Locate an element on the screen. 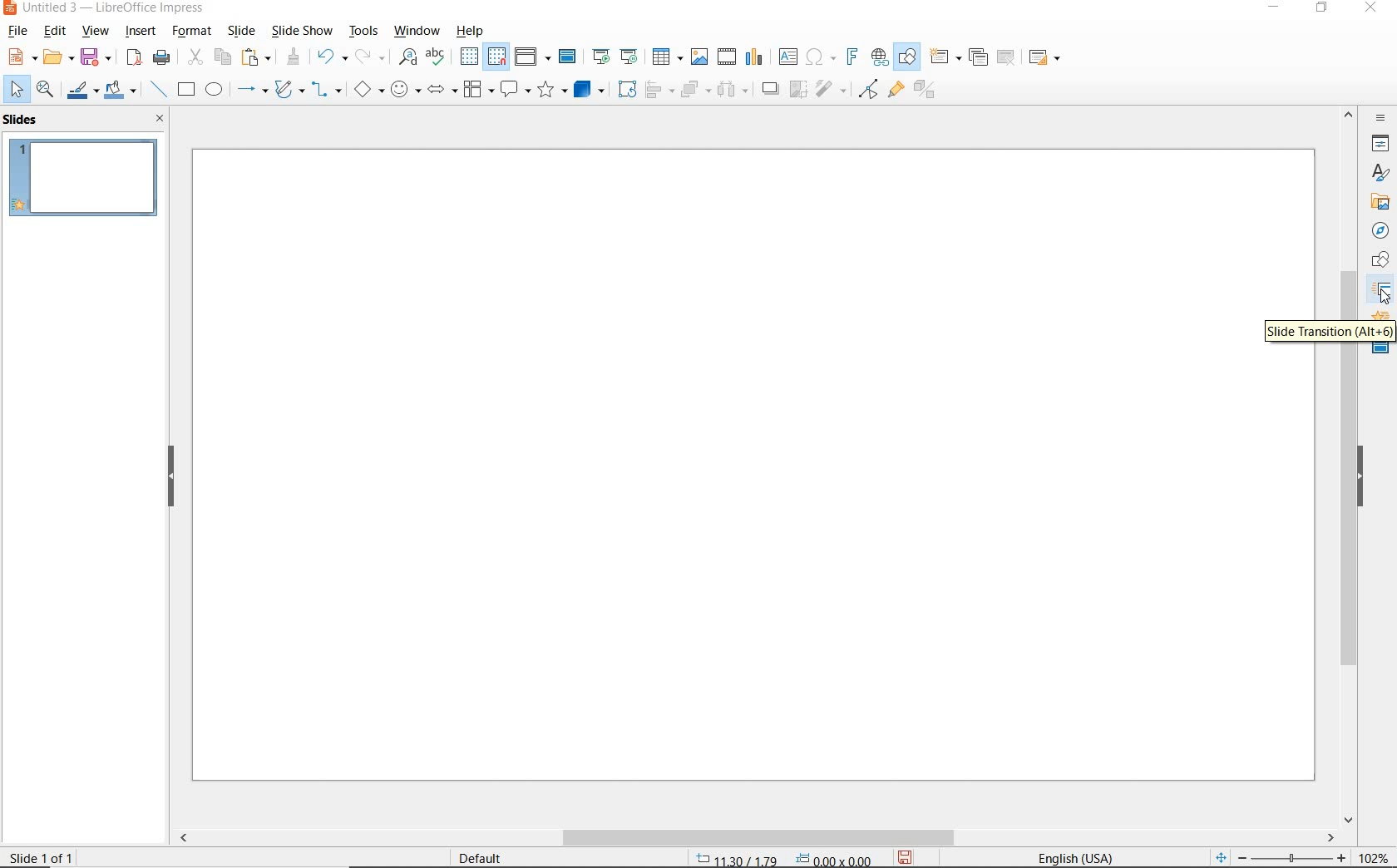 The width and height of the screenshot is (1397, 868). 3D OBJECTS is located at coordinates (590, 89).